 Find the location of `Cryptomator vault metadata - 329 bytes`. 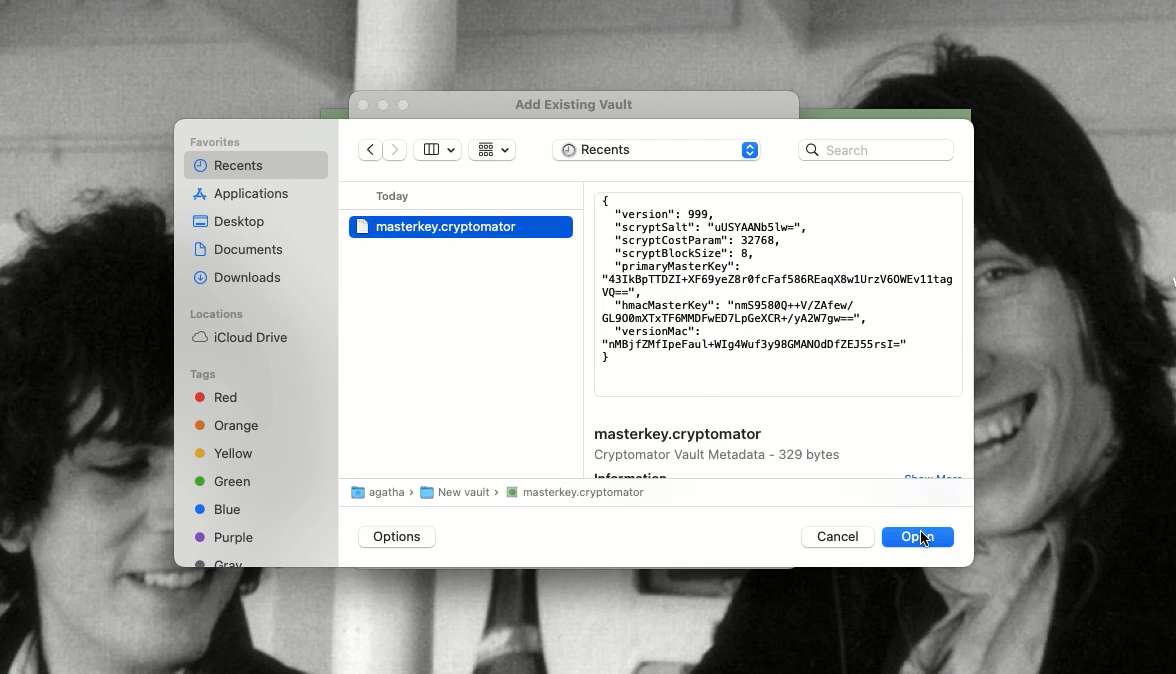

Cryptomator vault metadata - 329 bytes is located at coordinates (721, 456).